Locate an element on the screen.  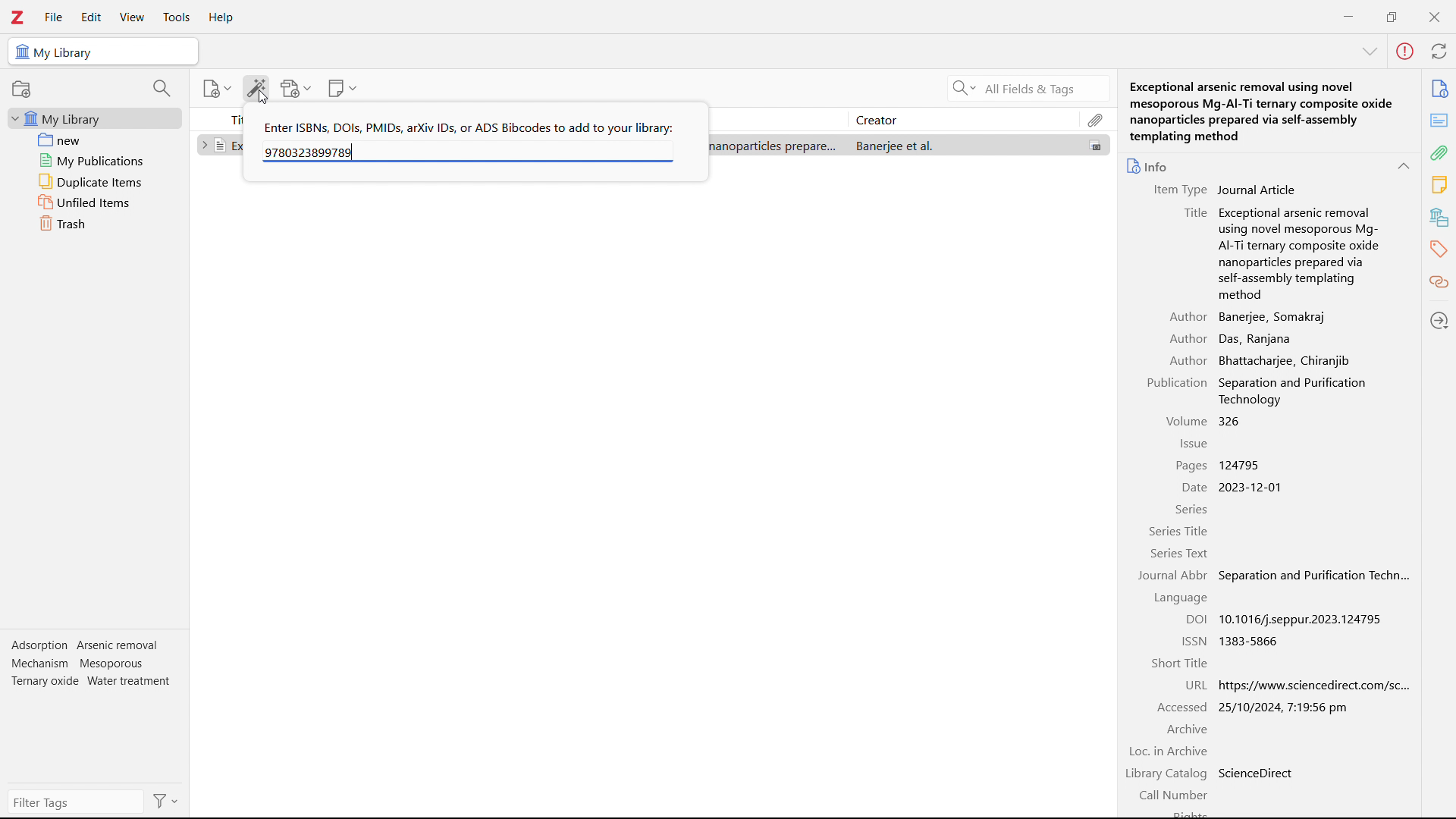
logo is located at coordinates (17, 17).